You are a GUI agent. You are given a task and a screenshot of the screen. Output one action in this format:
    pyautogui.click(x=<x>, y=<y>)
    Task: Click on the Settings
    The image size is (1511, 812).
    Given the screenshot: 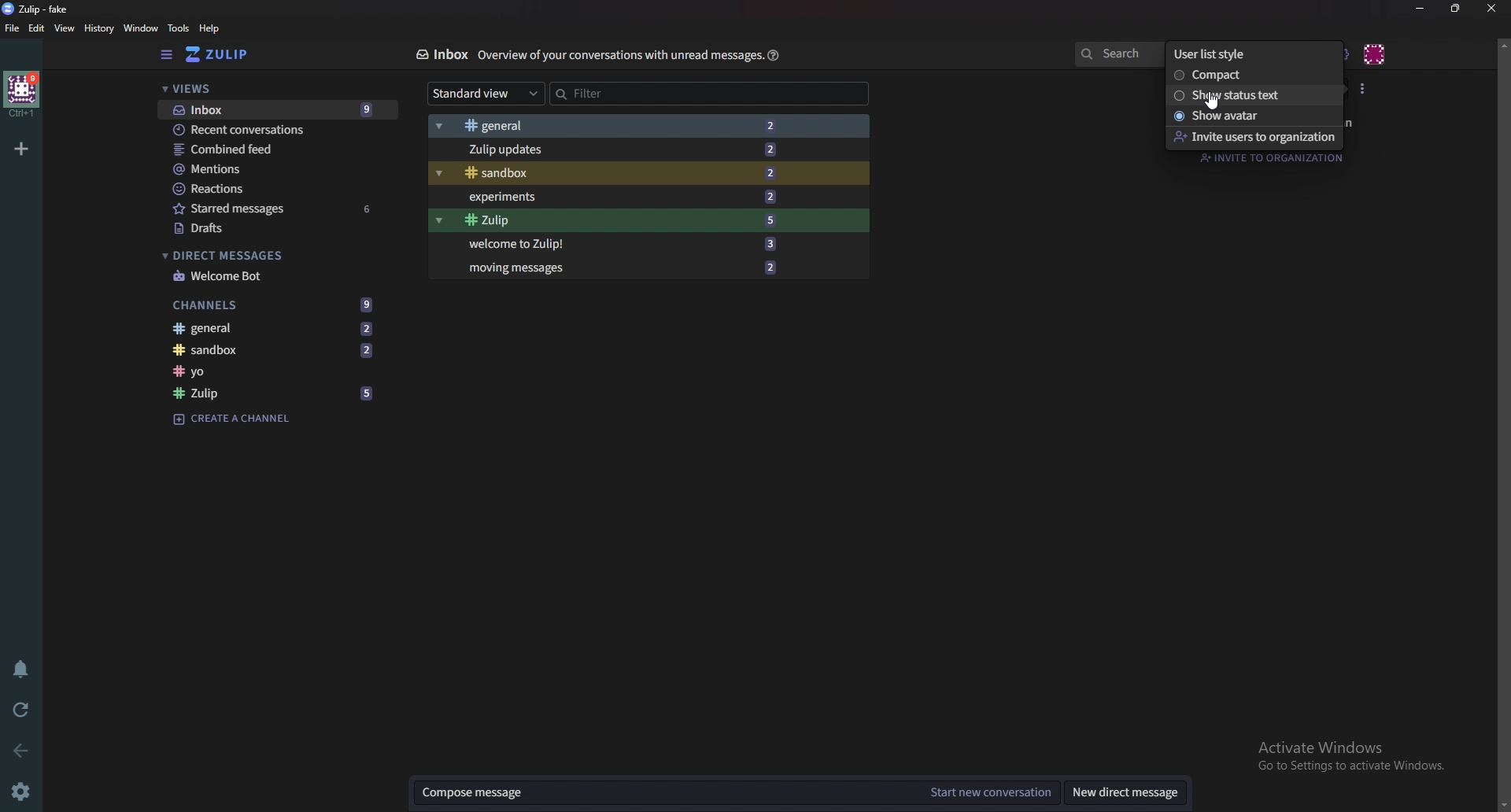 What is the action you would take?
    pyautogui.click(x=22, y=789)
    